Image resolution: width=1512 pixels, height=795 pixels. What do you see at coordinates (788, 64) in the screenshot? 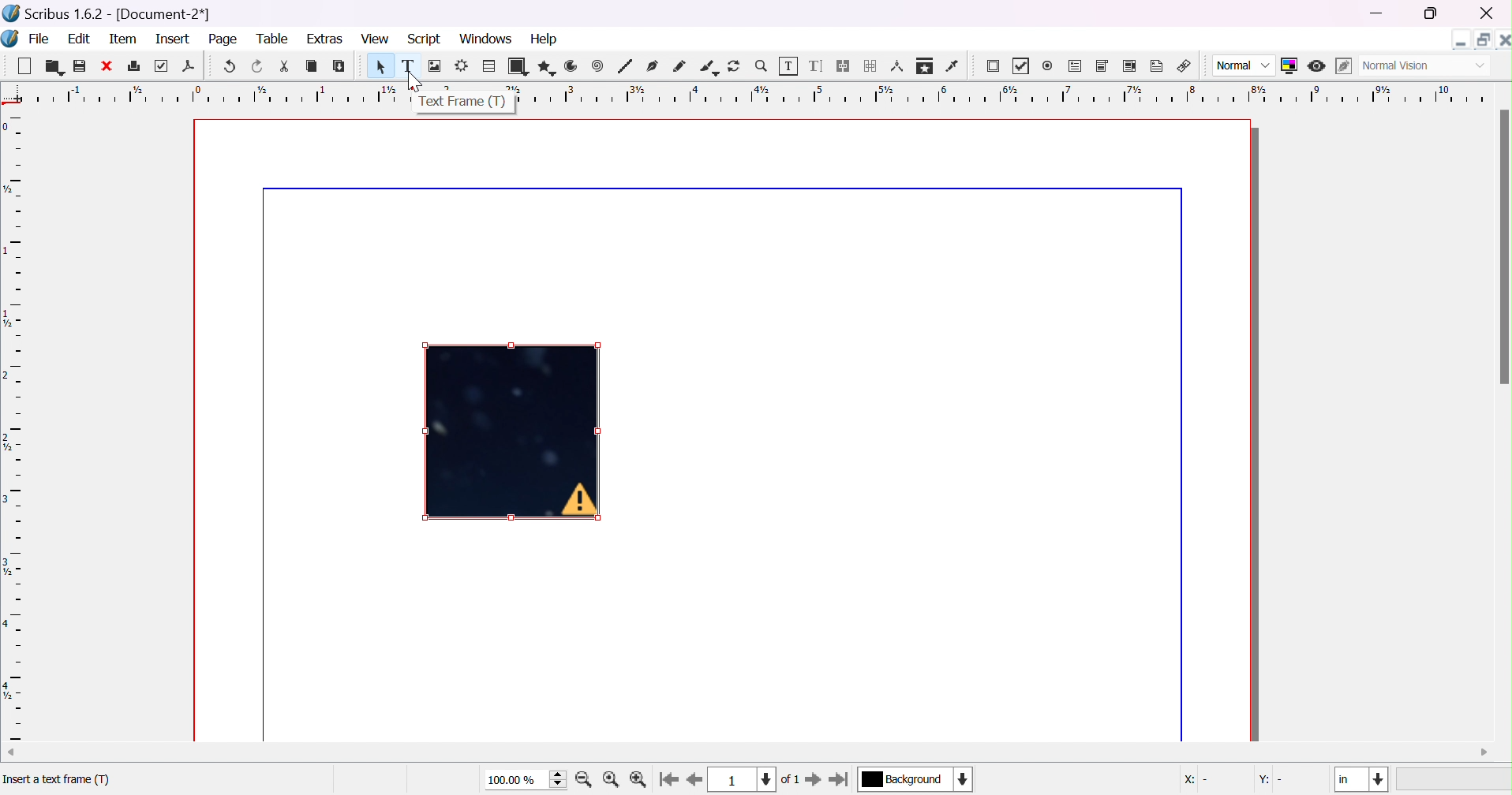
I see `edit contents of frame` at bounding box center [788, 64].